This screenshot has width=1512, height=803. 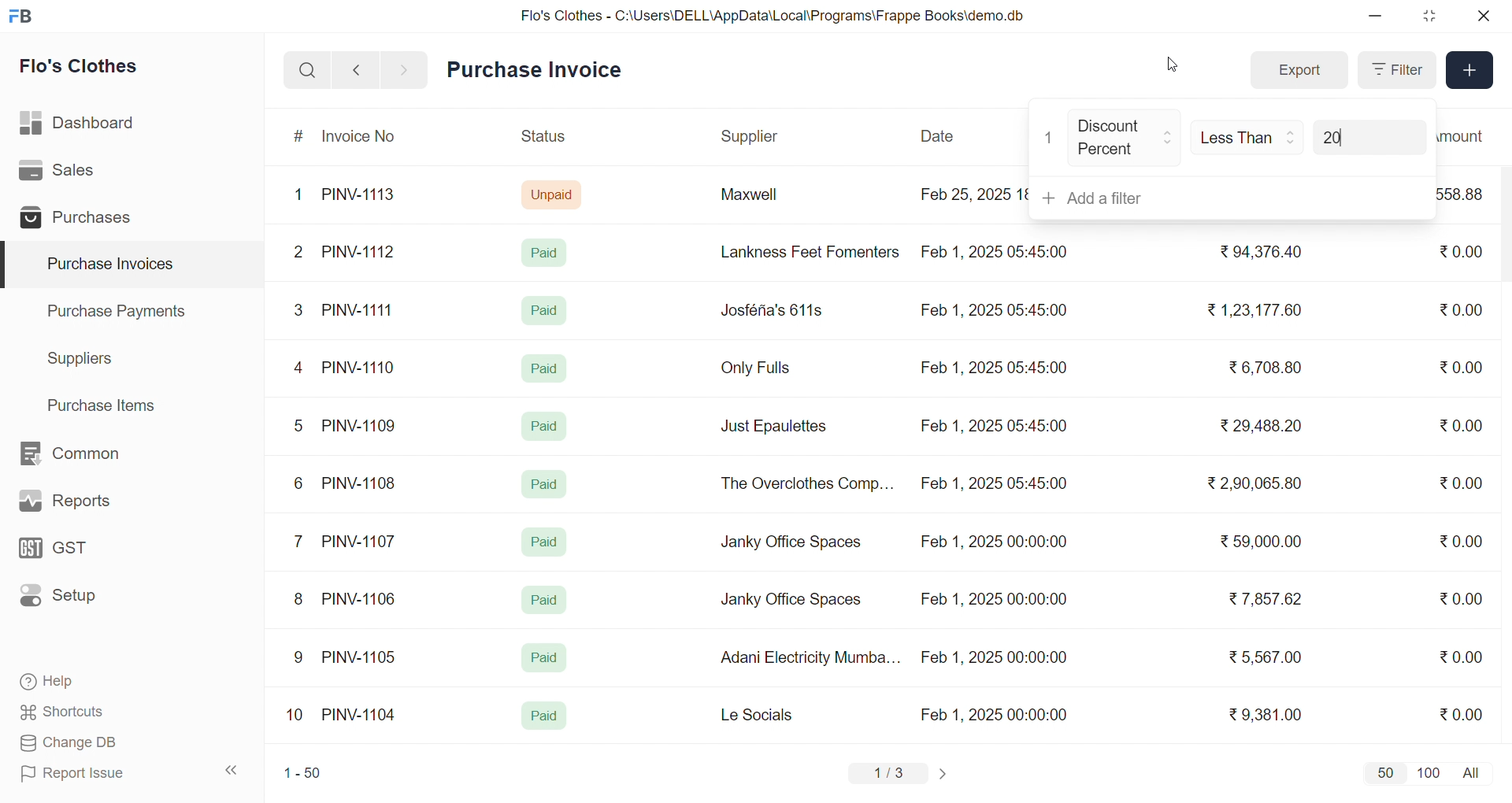 I want to click on Less Than, so click(x=1249, y=138).